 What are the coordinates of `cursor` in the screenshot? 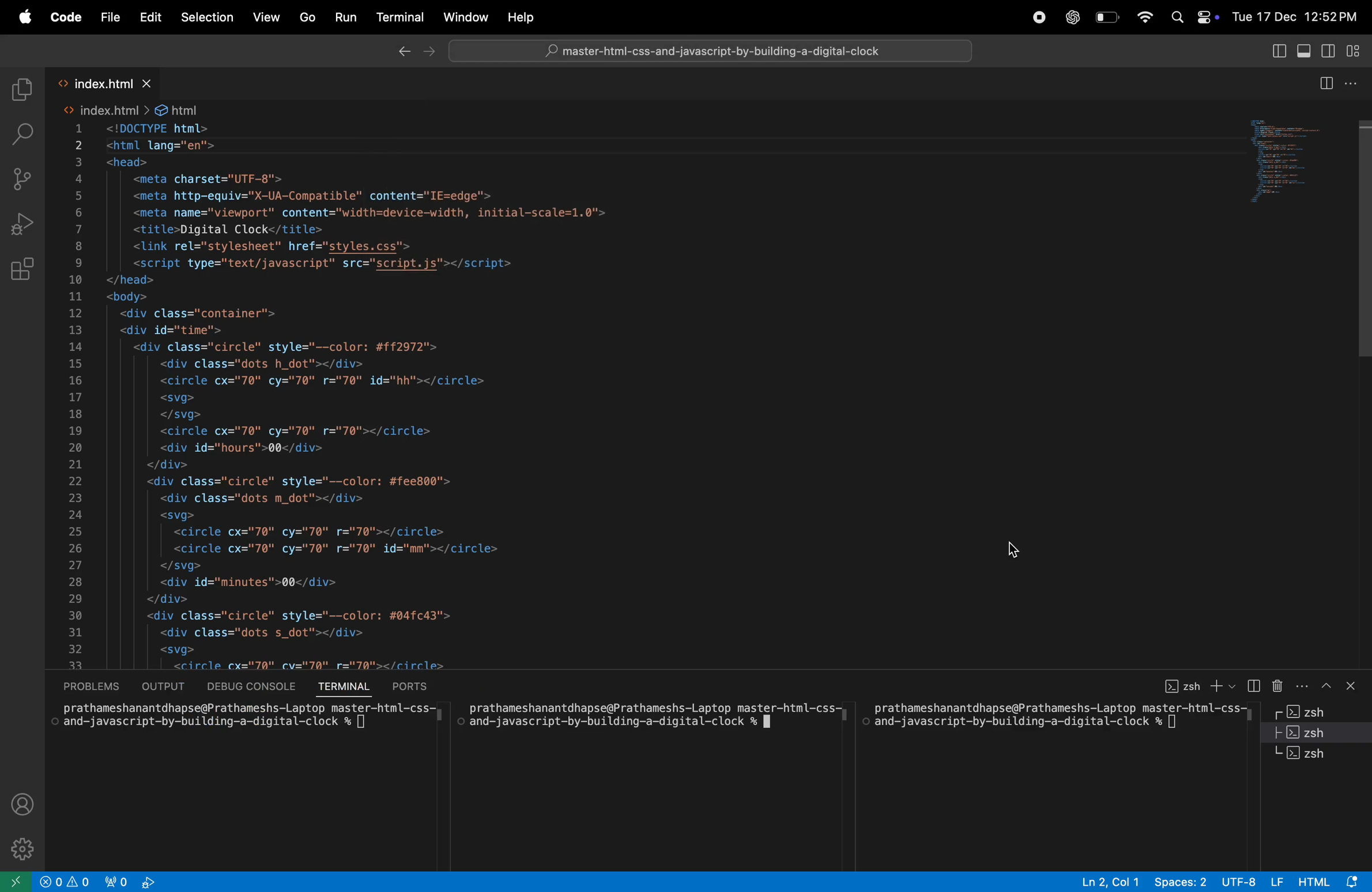 It's located at (1010, 550).